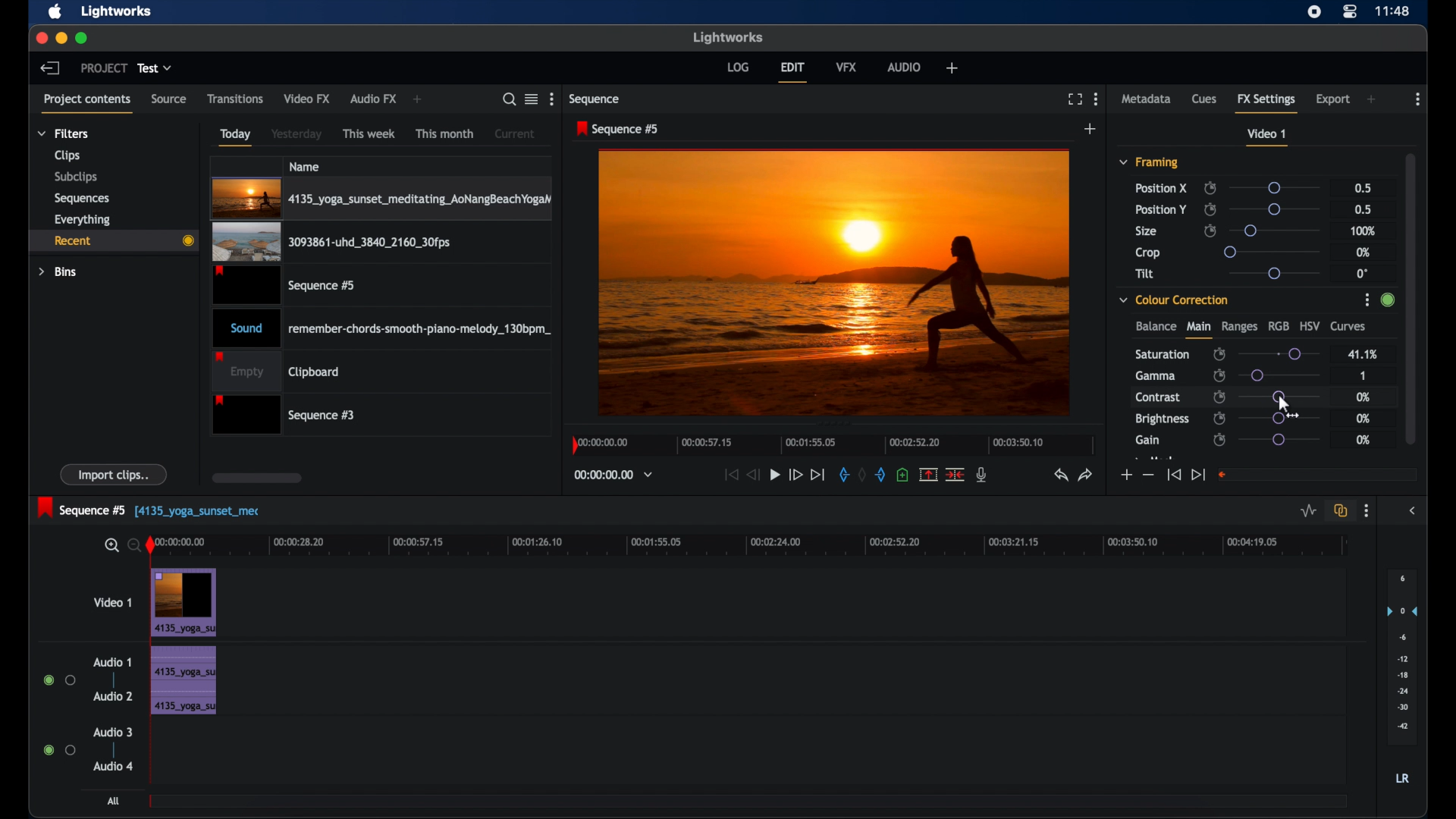 This screenshot has height=819, width=1456. What do you see at coordinates (198, 510) in the screenshot?
I see `text` at bounding box center [198, 510].